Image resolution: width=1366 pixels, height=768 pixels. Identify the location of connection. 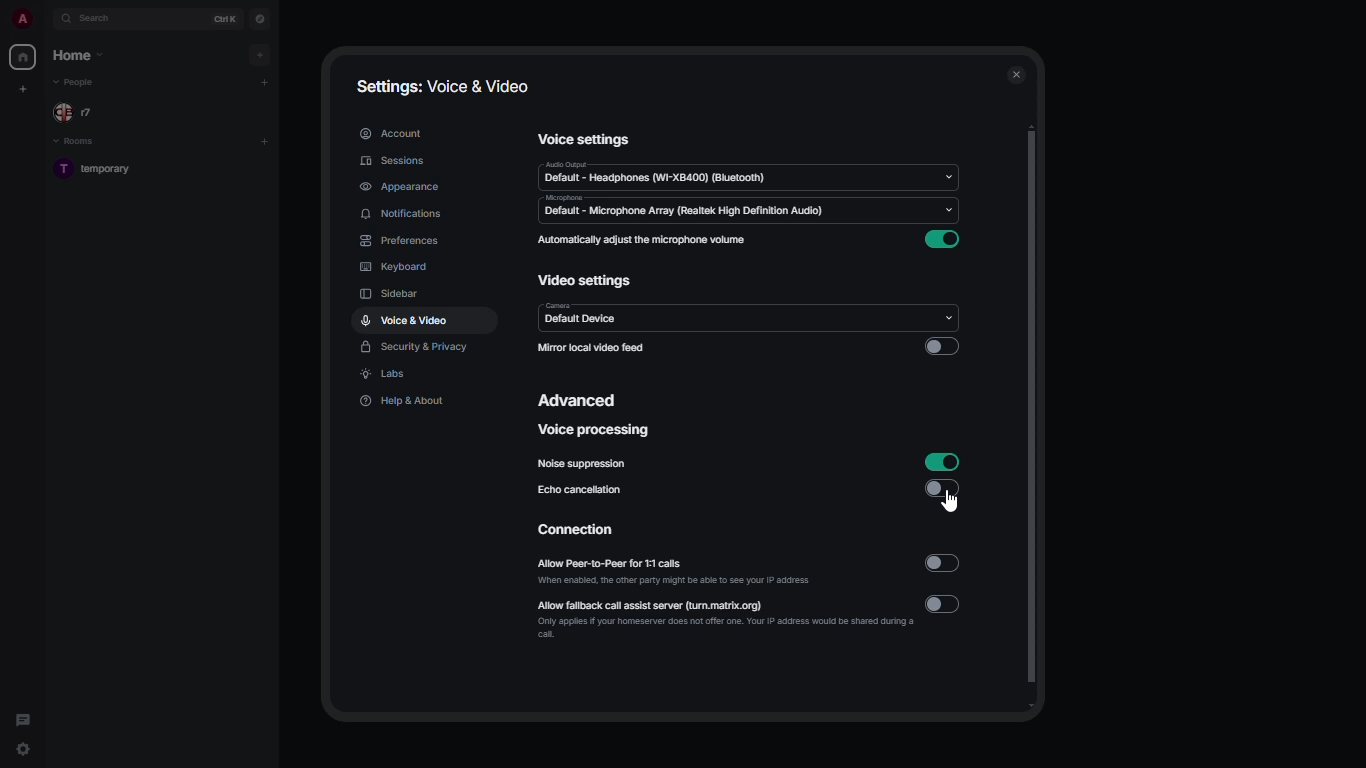
(579, 530).